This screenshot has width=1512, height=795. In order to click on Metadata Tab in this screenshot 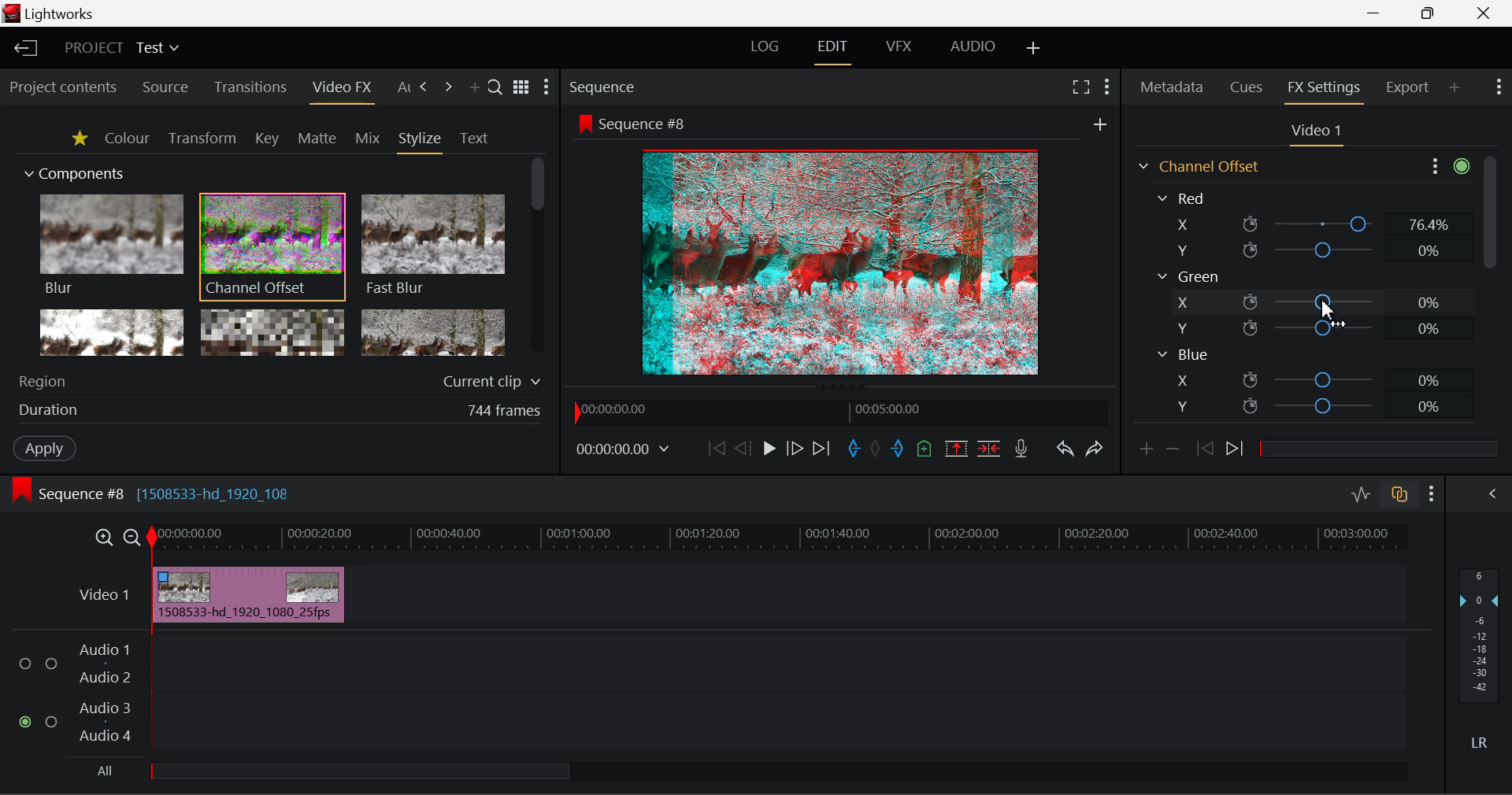, I will do `click(1170, 87)`.